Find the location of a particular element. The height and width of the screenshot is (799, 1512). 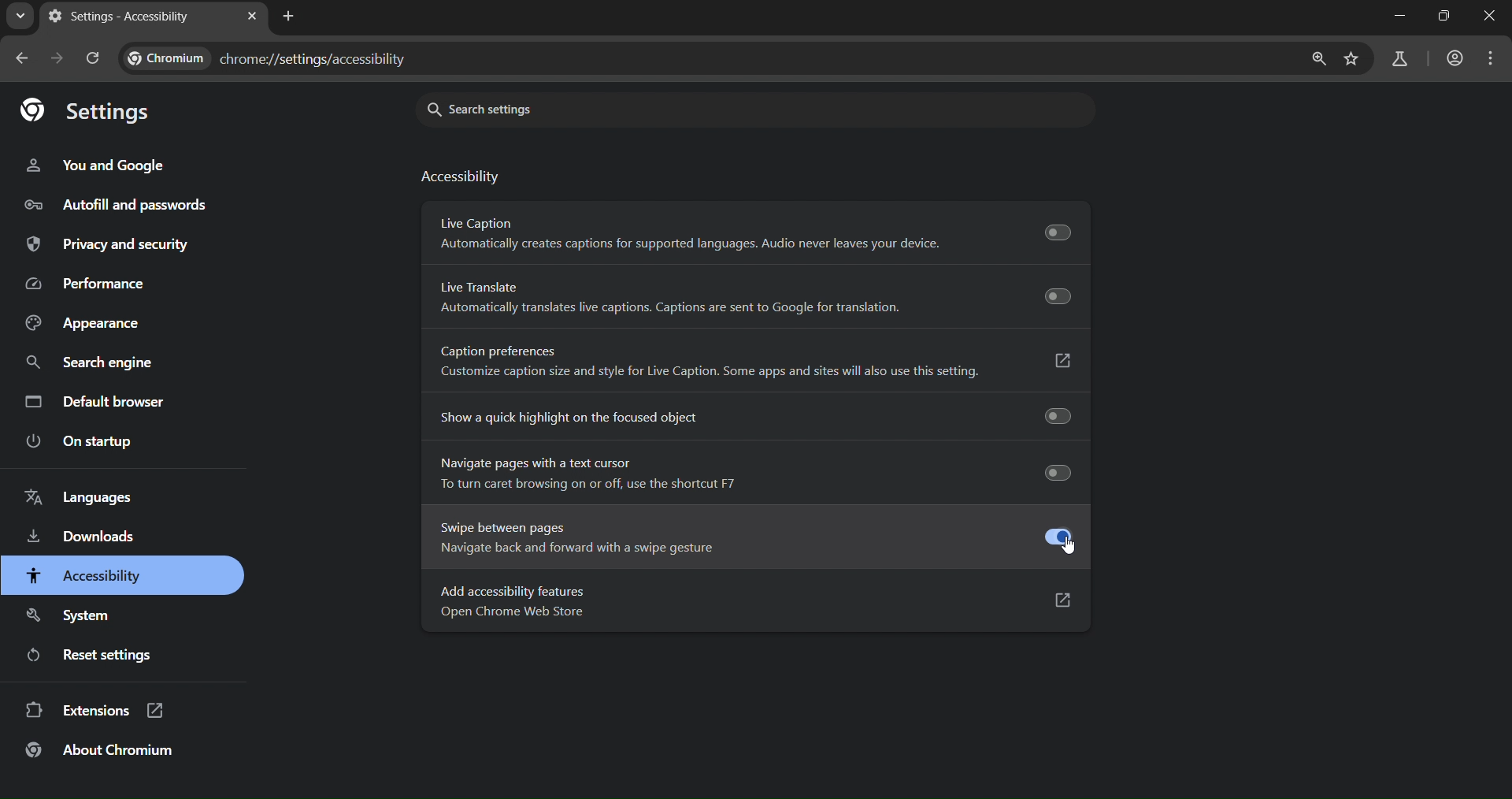

Live Caption
Automatically creates captions for supported languages. Audio never leaves your device. is located at coordinates (755, 232).